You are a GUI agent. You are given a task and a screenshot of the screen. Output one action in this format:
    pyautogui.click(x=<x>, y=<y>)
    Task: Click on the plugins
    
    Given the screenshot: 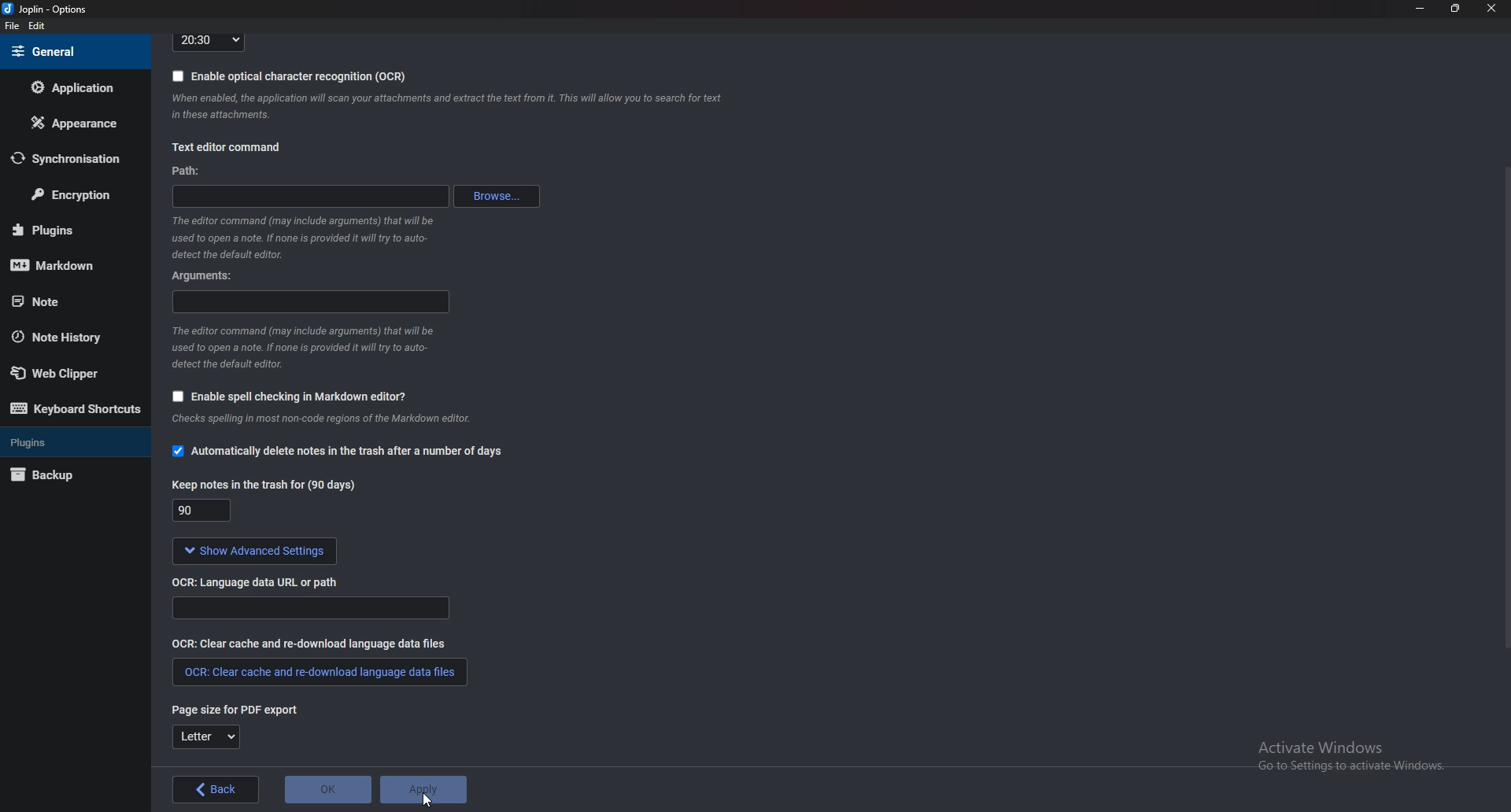 What is the action you would take?
    pyautogui.click(x=71, y=441)
    